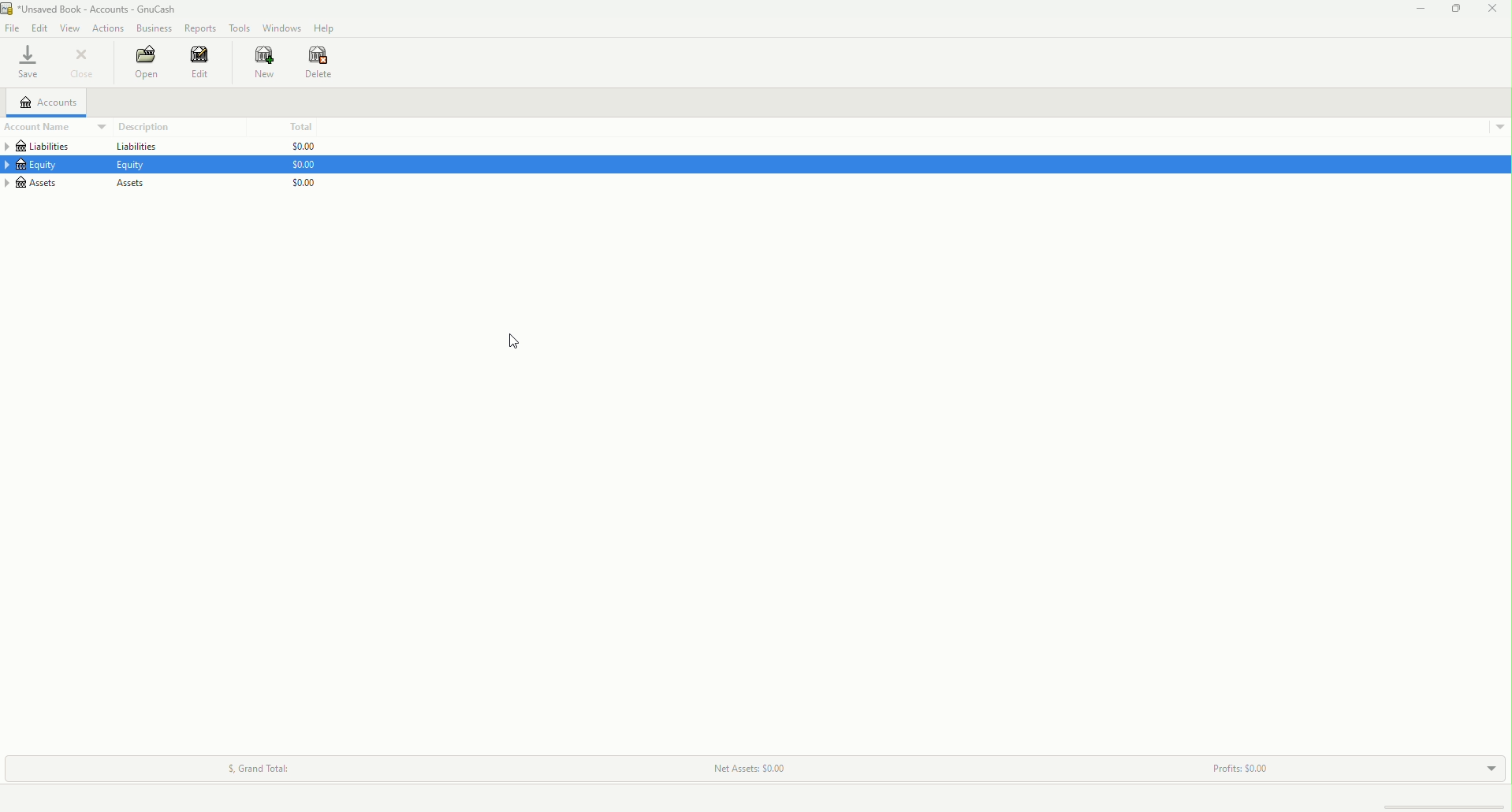 This screenshot has height=812, width=1512. I want to click on Windows, so click(281, 28).